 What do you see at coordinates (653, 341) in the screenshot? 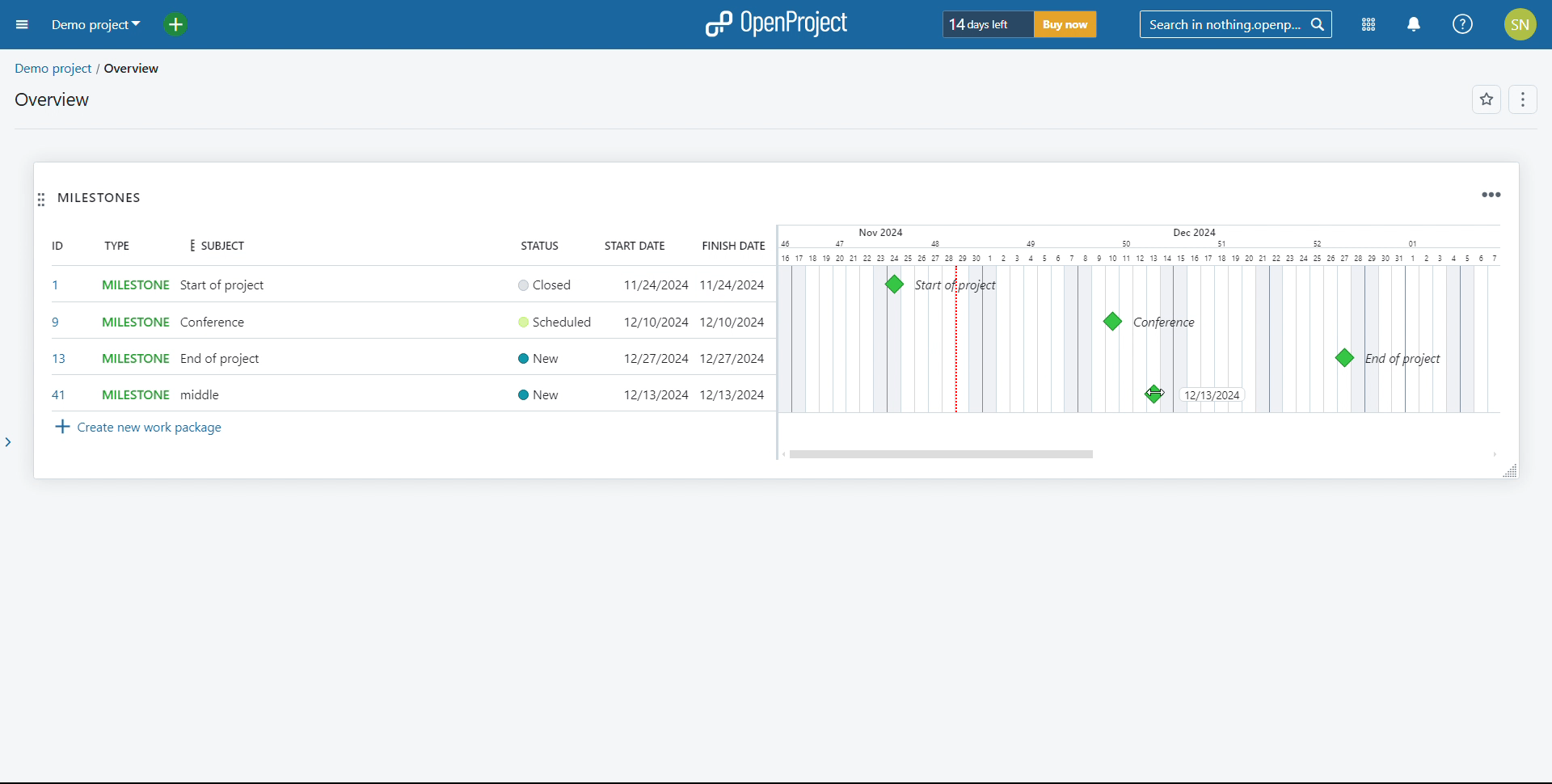
I see `set start date` at bounding box center [653, 341].